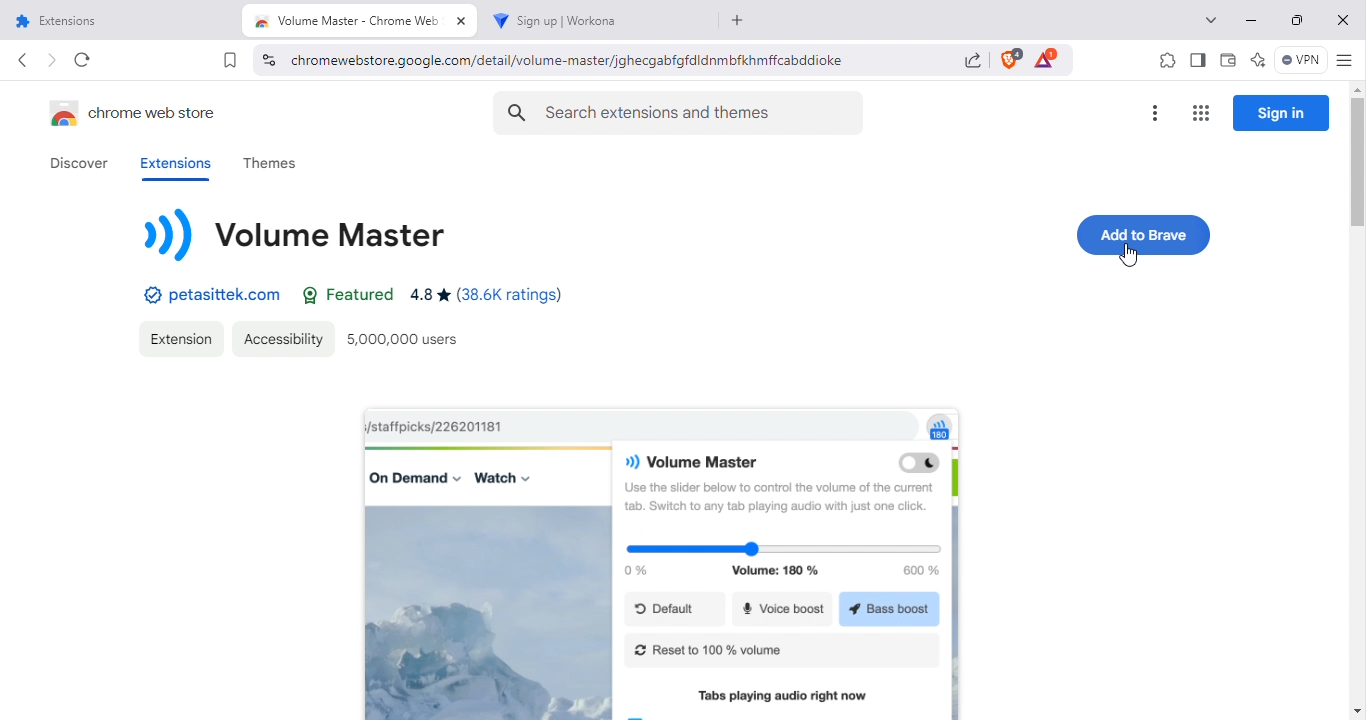  I want to click on Users, so click(412, 340).